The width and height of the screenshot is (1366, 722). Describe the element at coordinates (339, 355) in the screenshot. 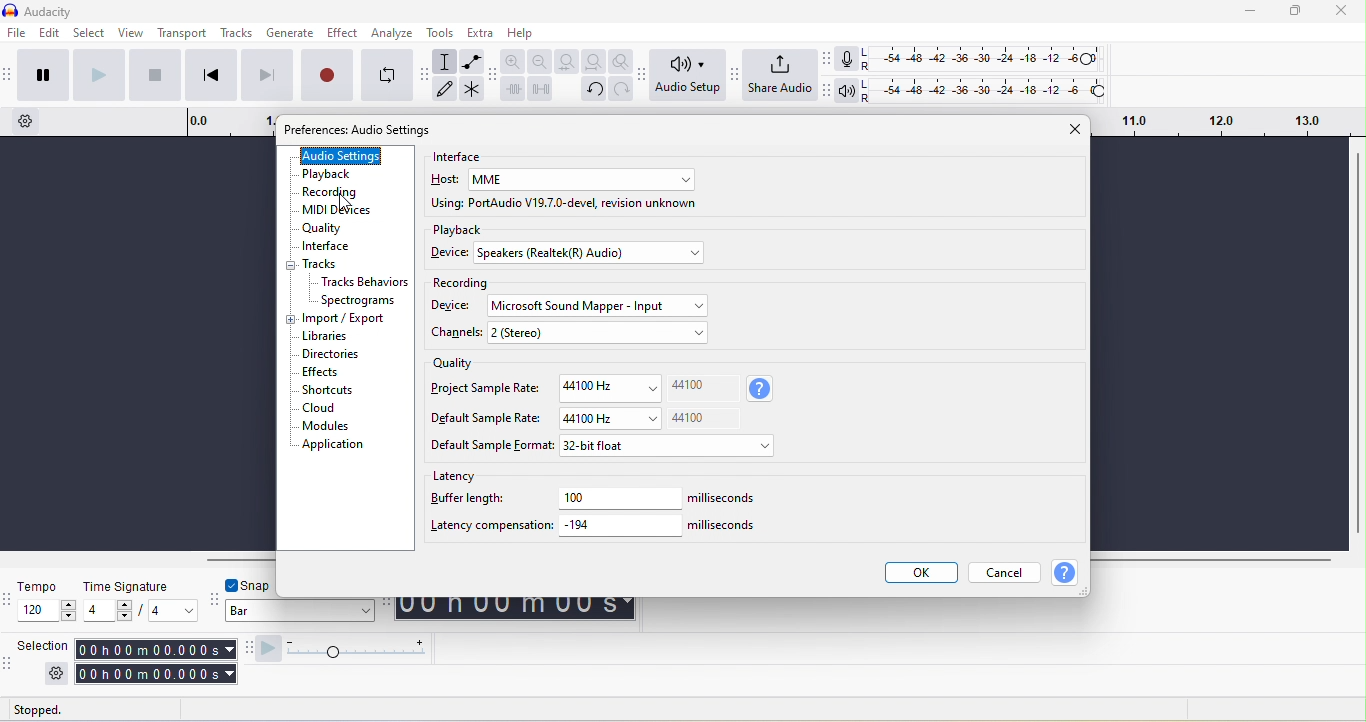

I see `directories` at that location.